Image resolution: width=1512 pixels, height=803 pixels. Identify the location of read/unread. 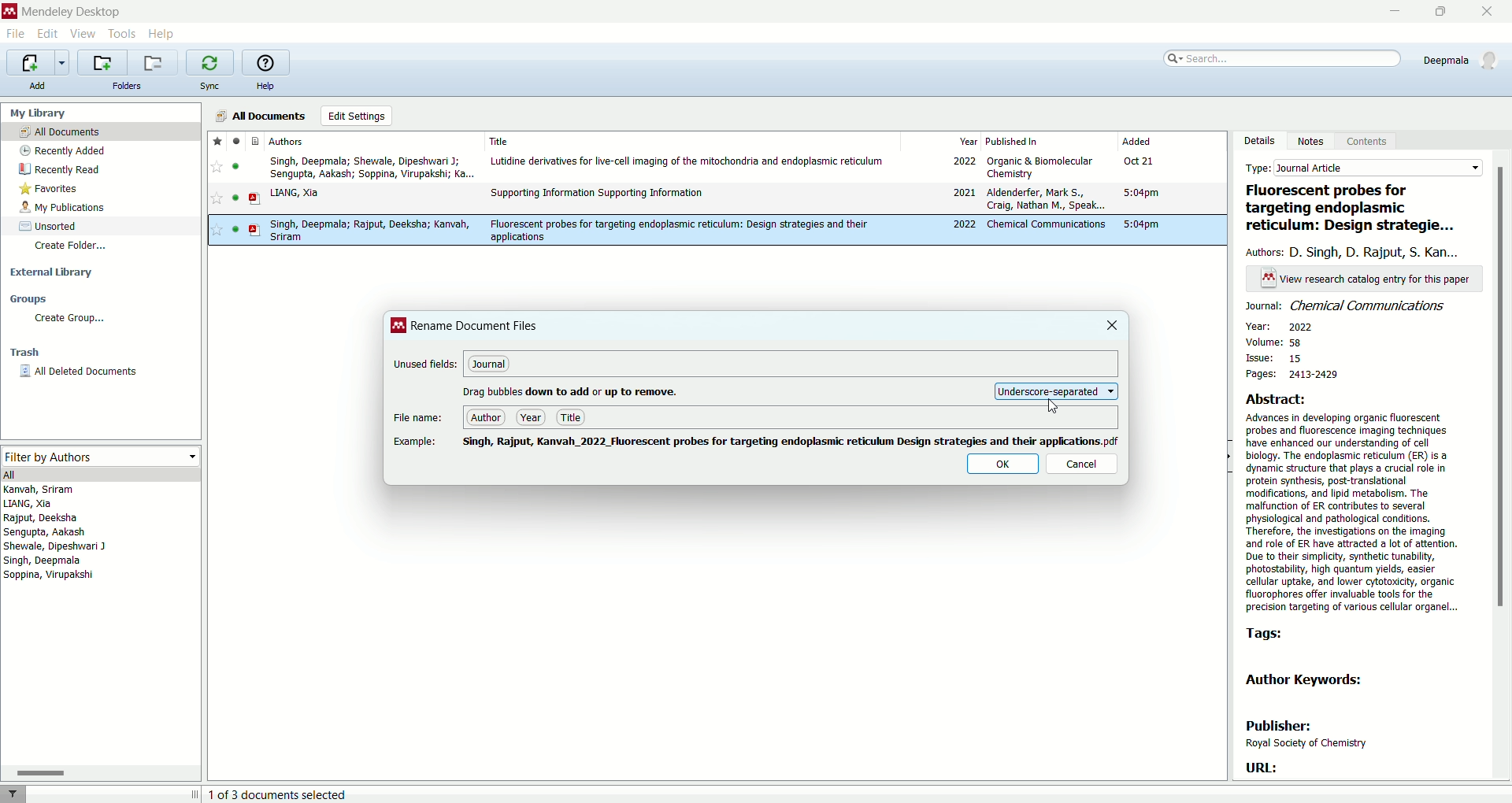
(235, 166).